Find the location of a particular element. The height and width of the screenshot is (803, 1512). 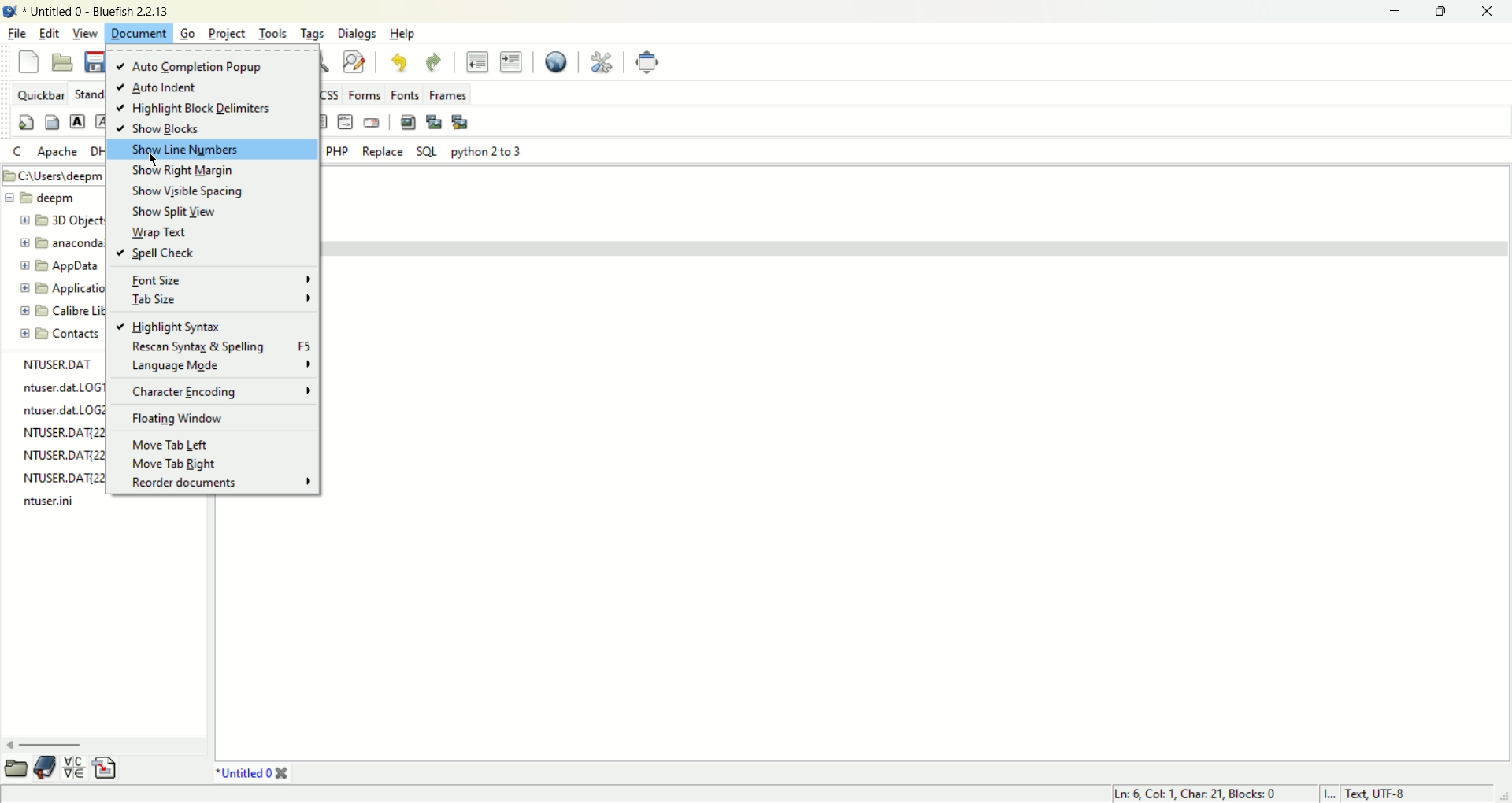

insert file is located at coordinates (110, 767).